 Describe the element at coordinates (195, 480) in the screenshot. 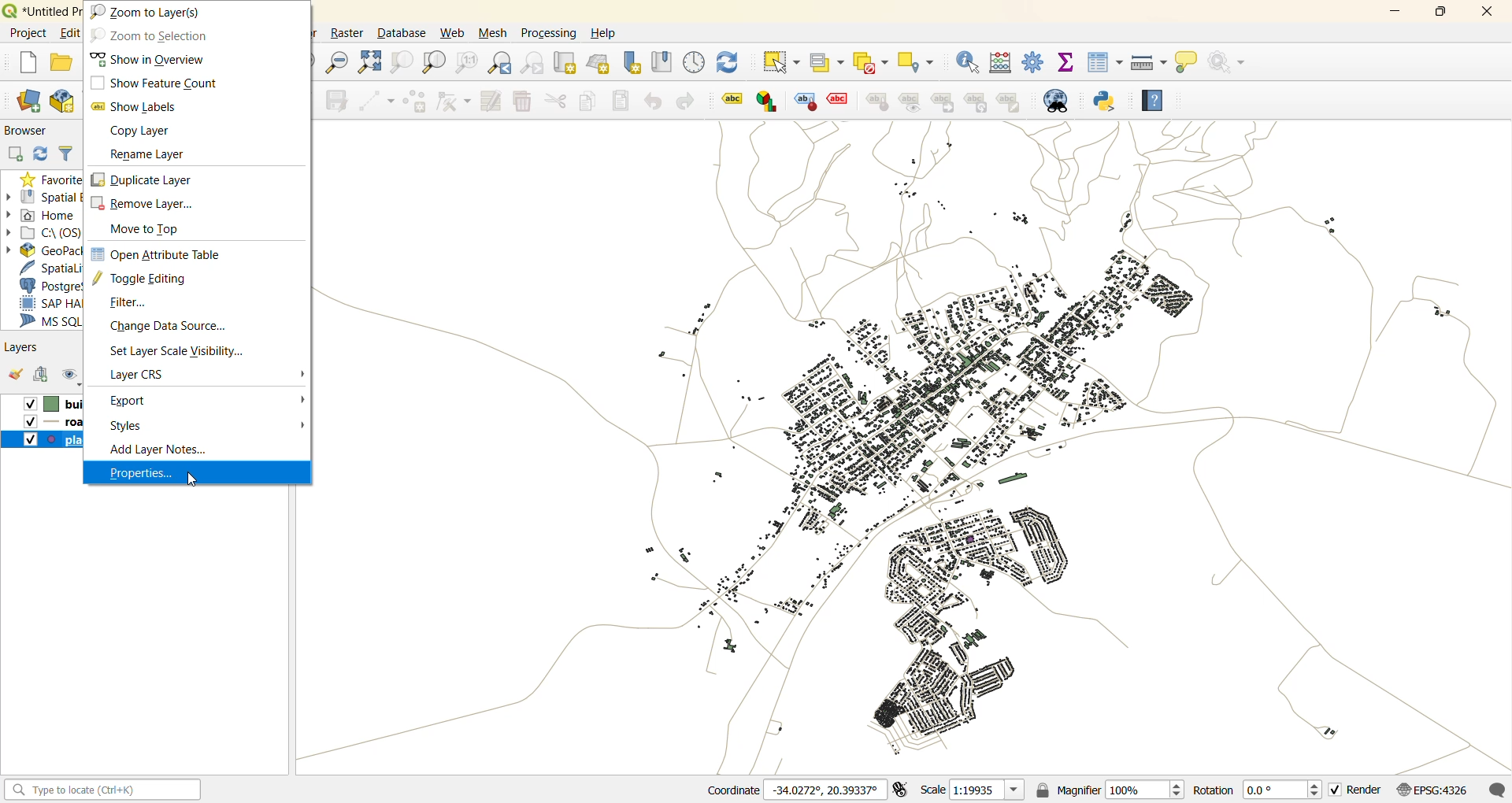

I see `cursor` at that location.